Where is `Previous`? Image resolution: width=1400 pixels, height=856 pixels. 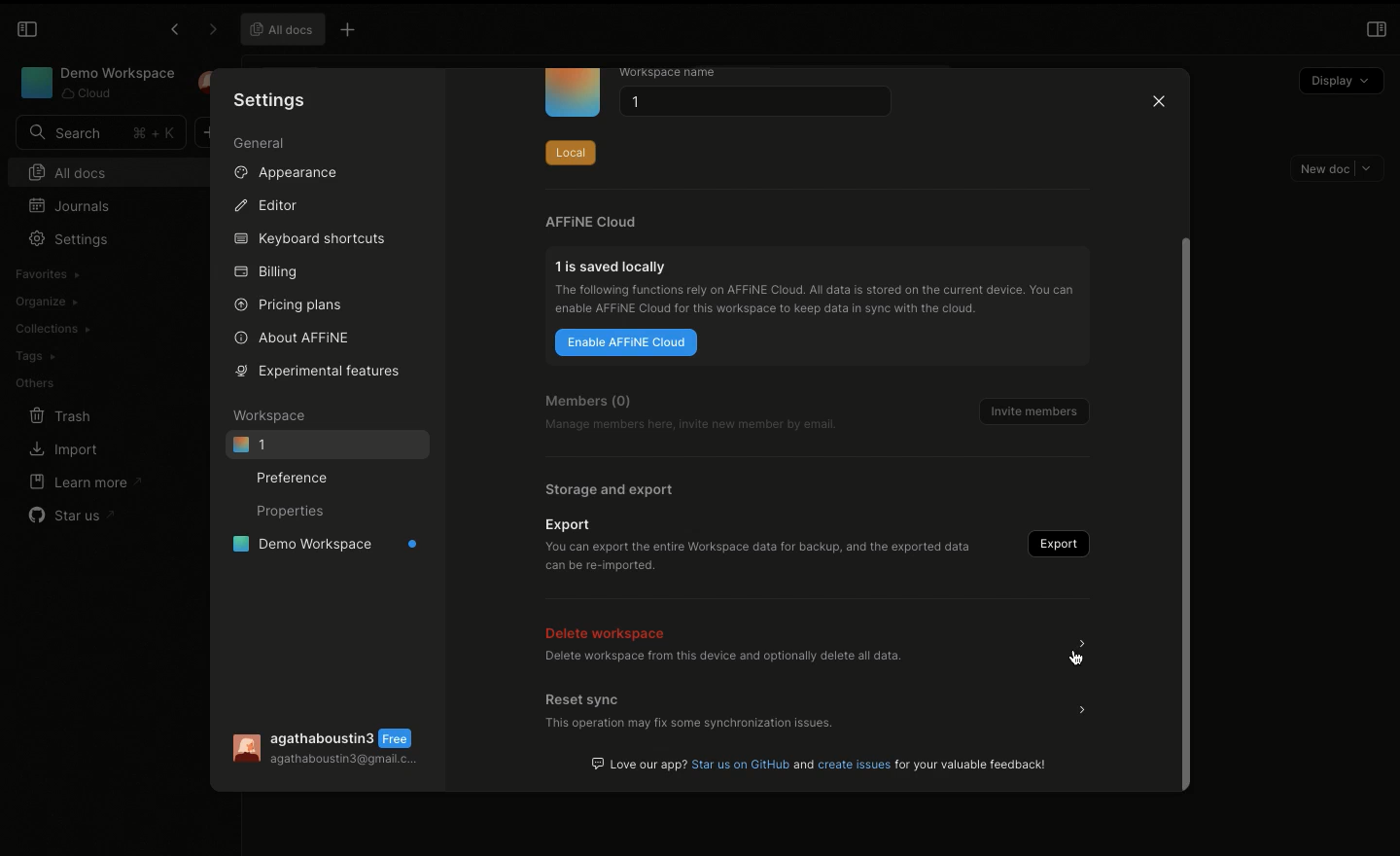
Previous is located at coordinates (172, 32).